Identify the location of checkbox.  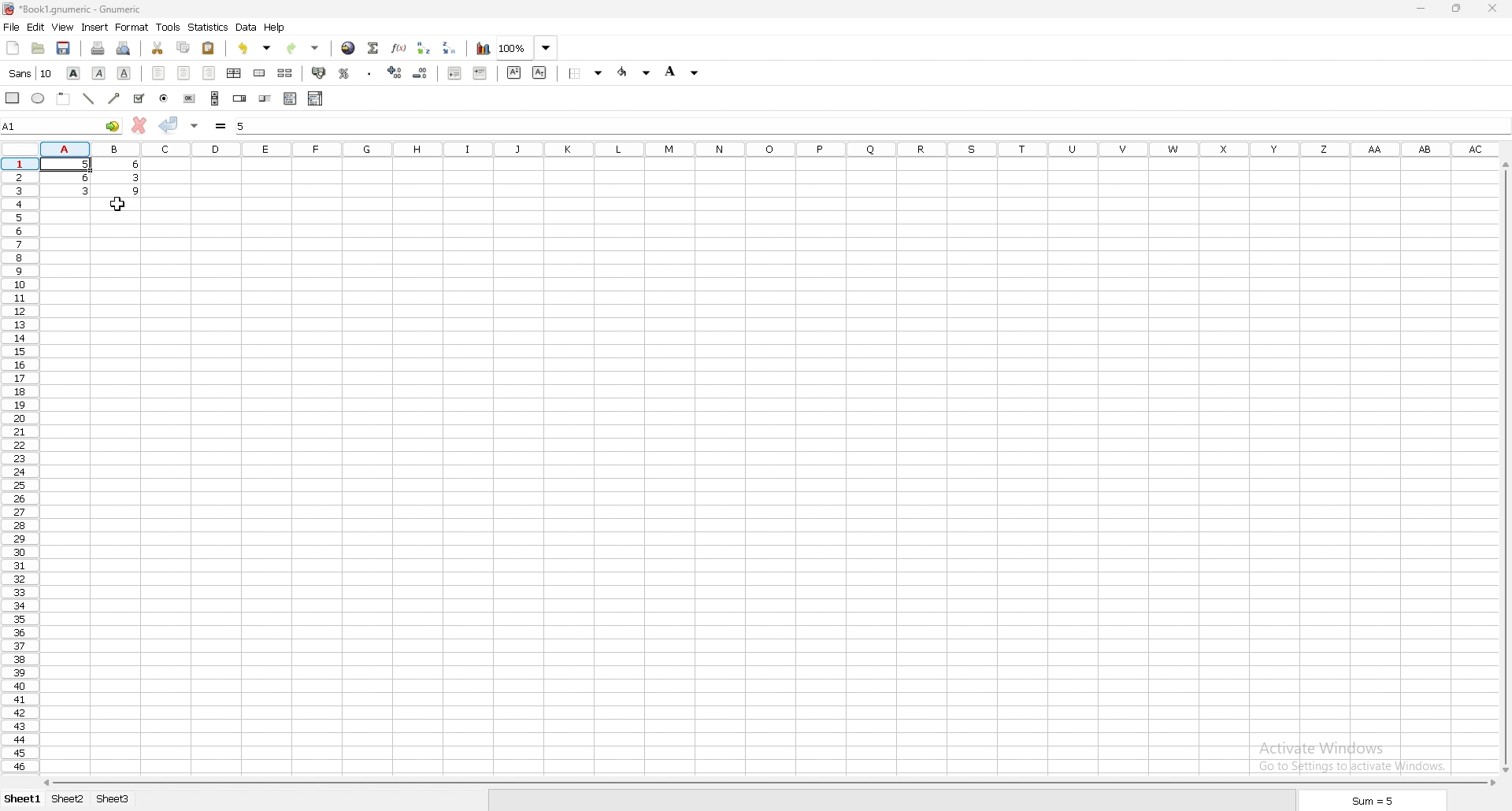
(138, 98).